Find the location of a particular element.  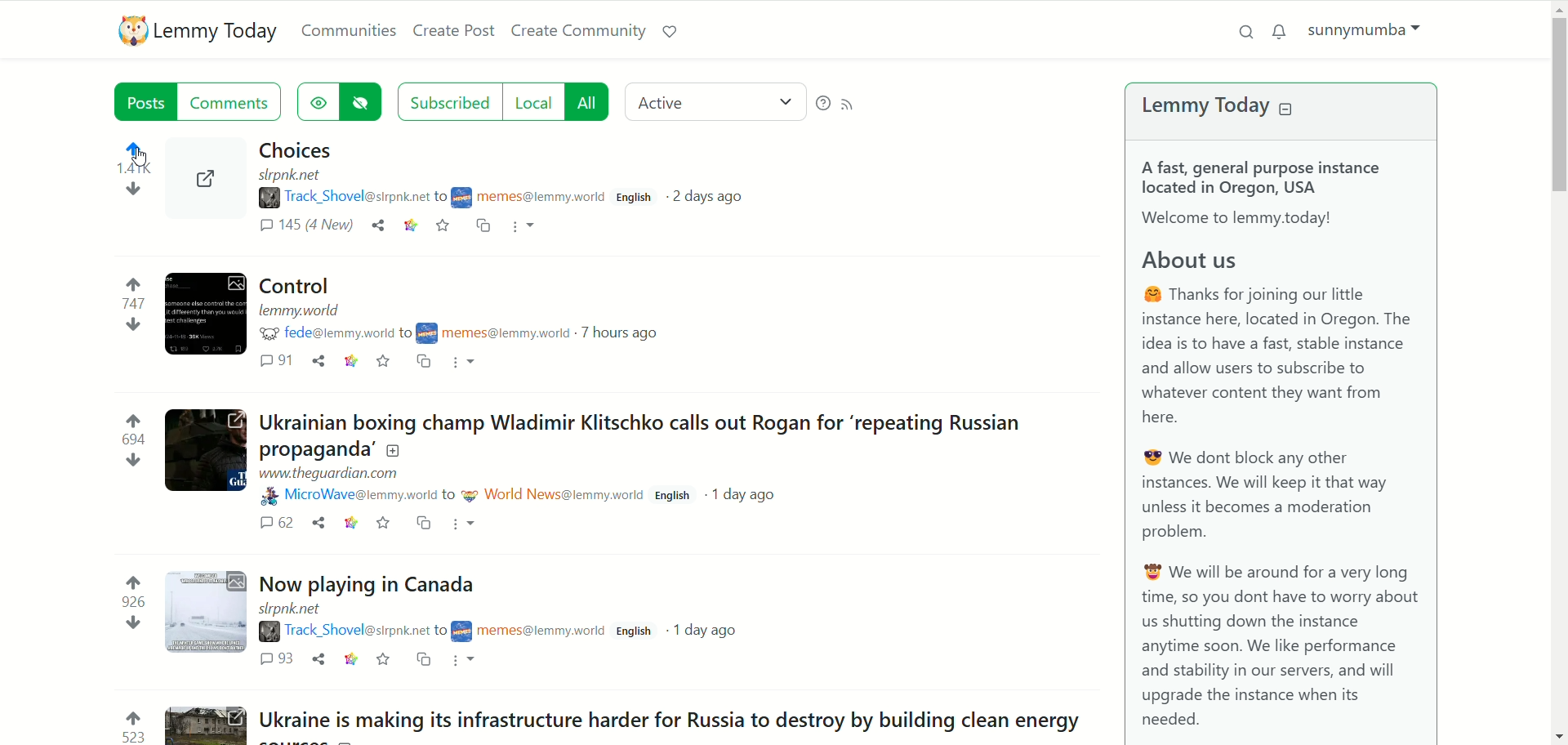

A fast, general purpose instance located in Oregon, USA is located at coordinates (1263, 177).